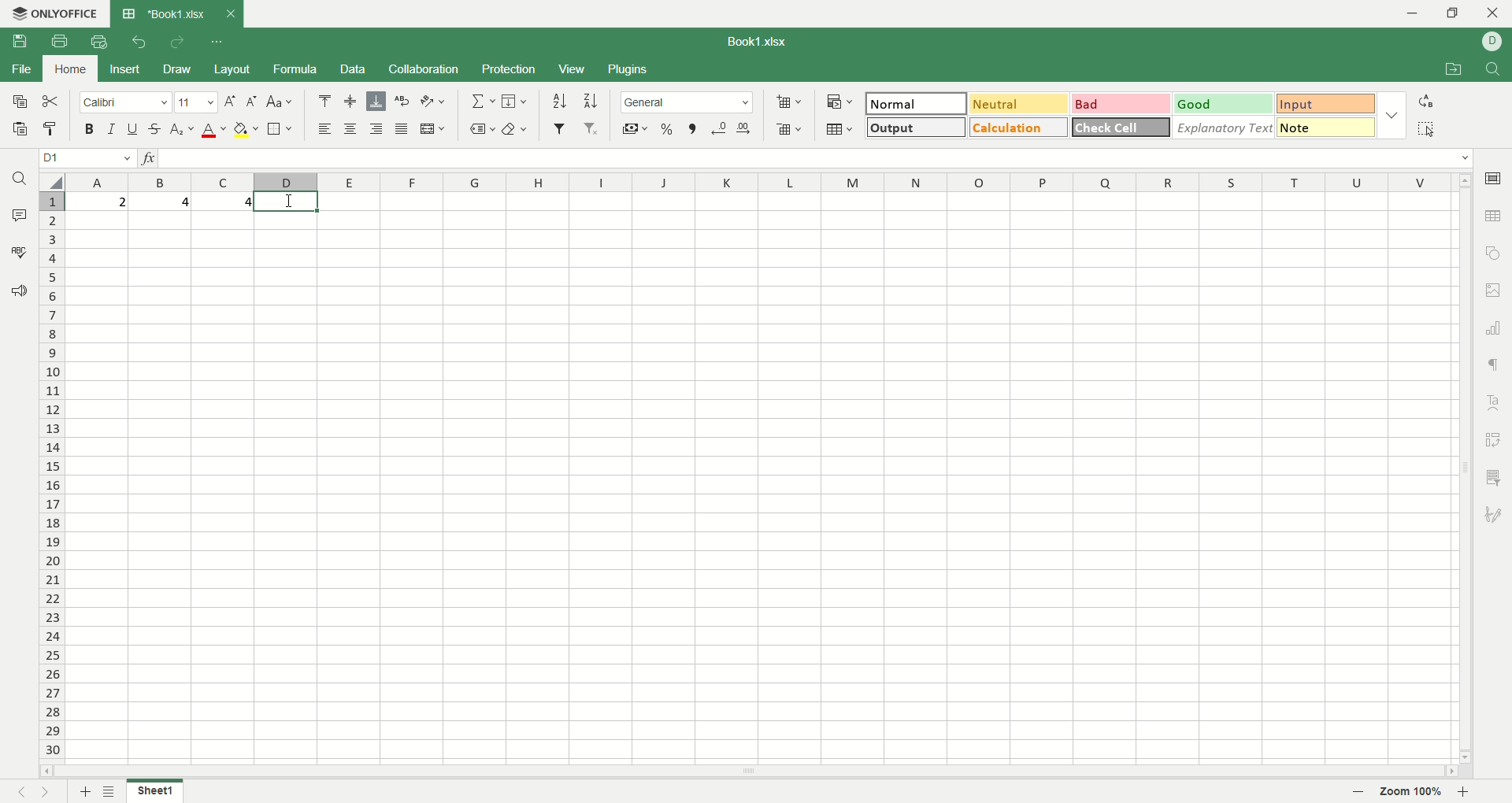 This screenshot has width=1512, height=803. What do you see at coordinates (281, 128) in the screenshot?
I see `border` at bounding box center [281, 128].